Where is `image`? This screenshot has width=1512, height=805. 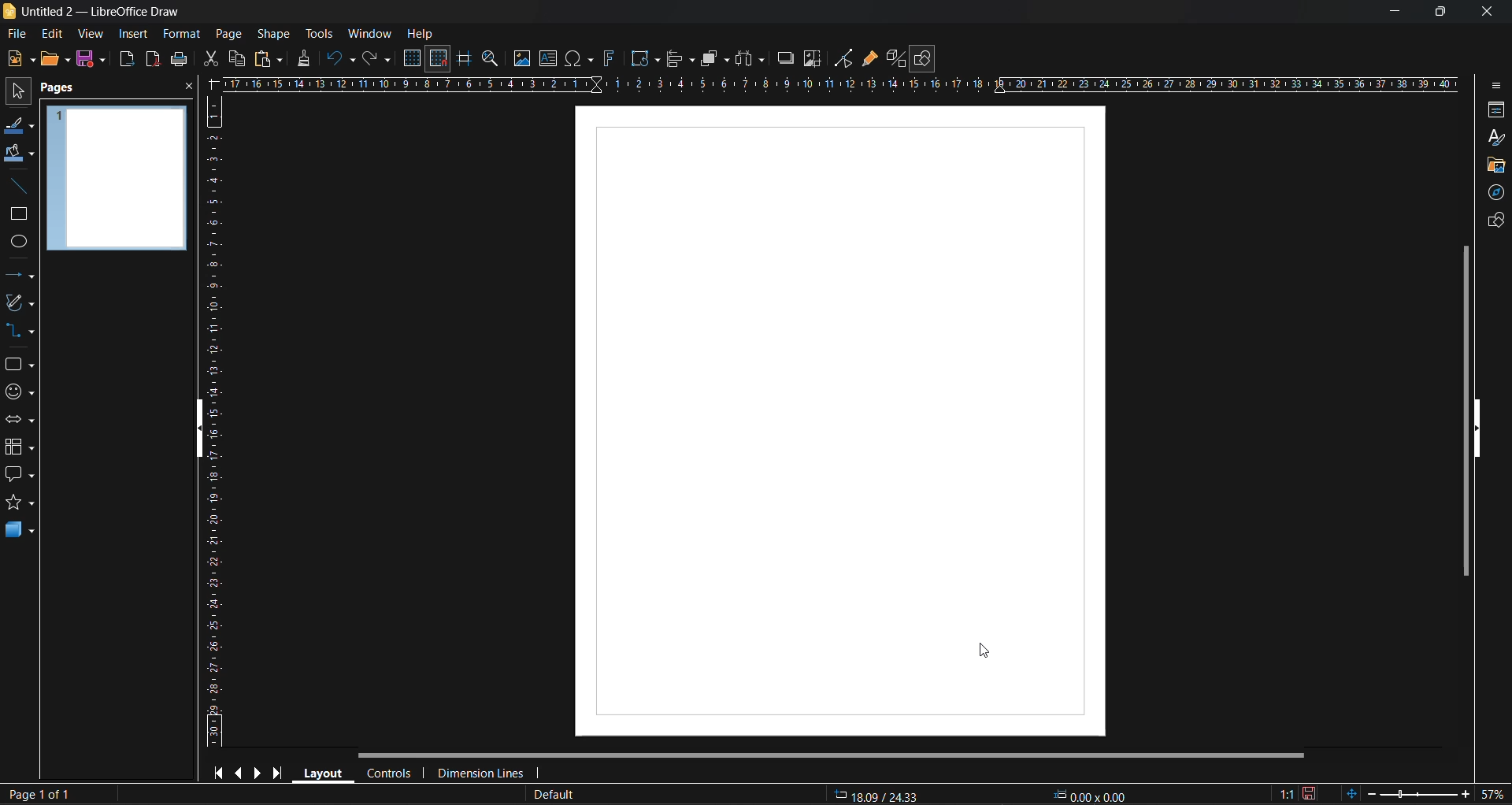 image is located at coordinates (520, 59).